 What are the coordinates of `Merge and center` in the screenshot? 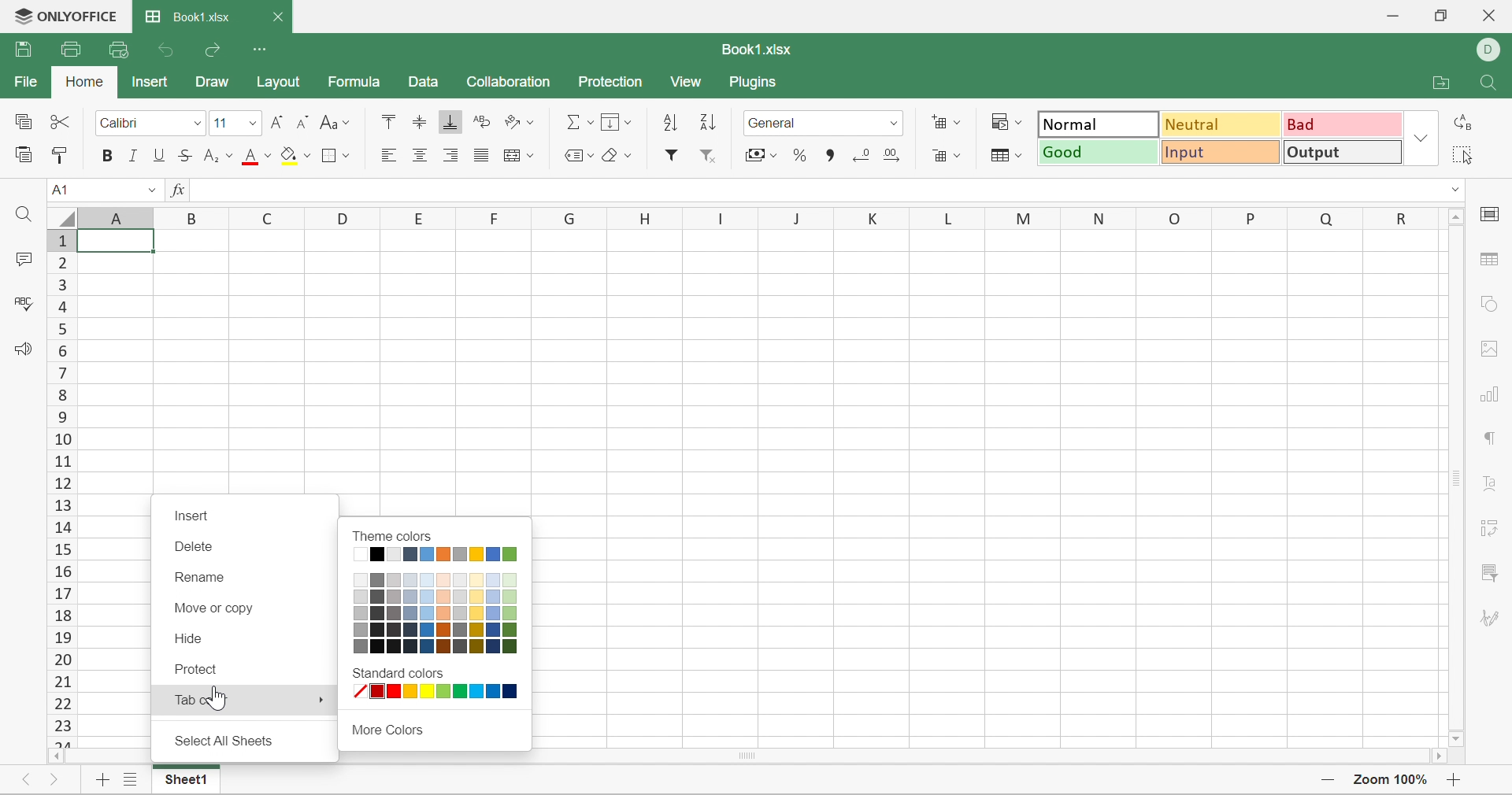 It's located at (521, 156).